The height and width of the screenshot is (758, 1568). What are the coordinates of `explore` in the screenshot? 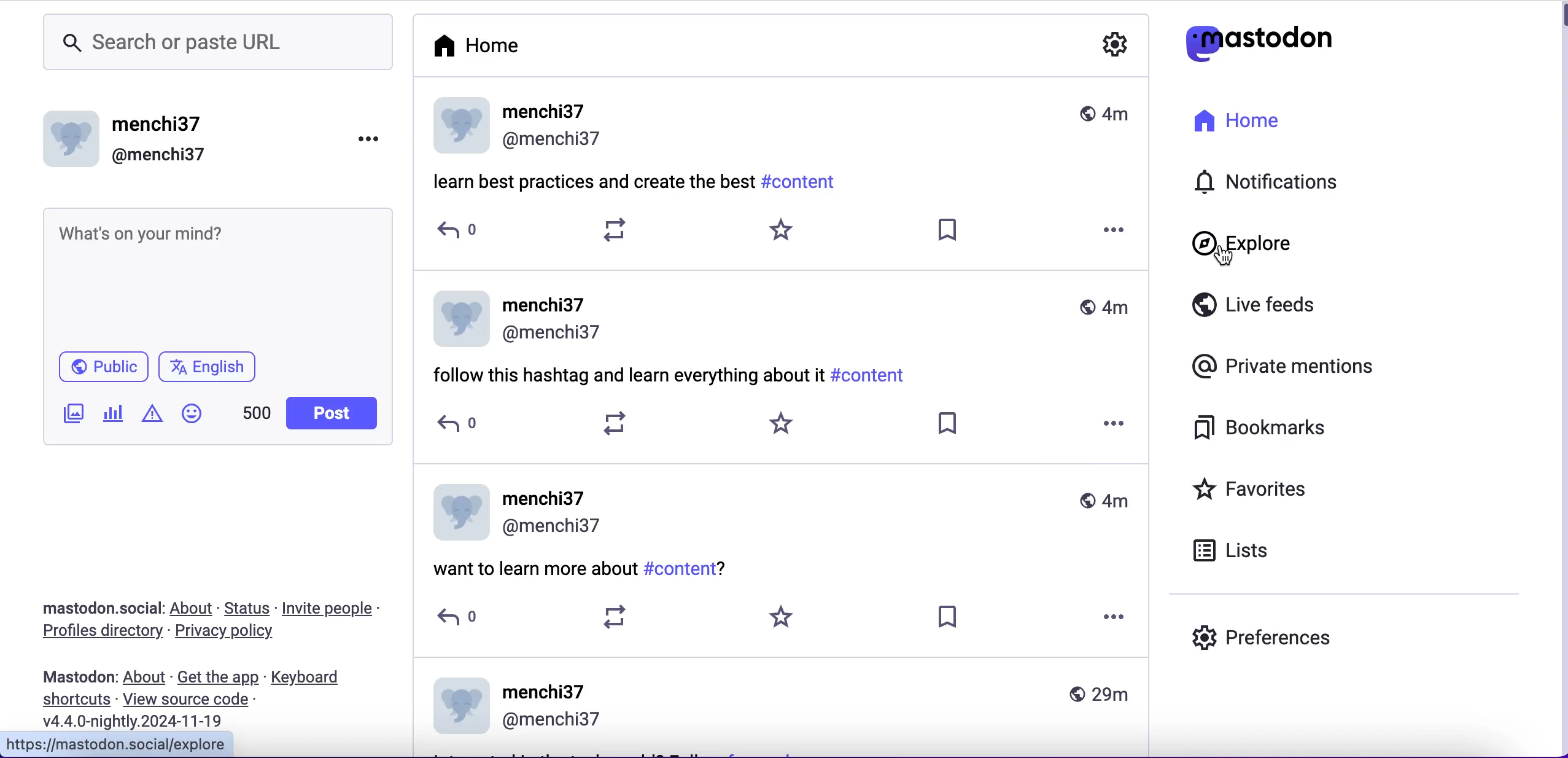 It's located at (1262, 246).